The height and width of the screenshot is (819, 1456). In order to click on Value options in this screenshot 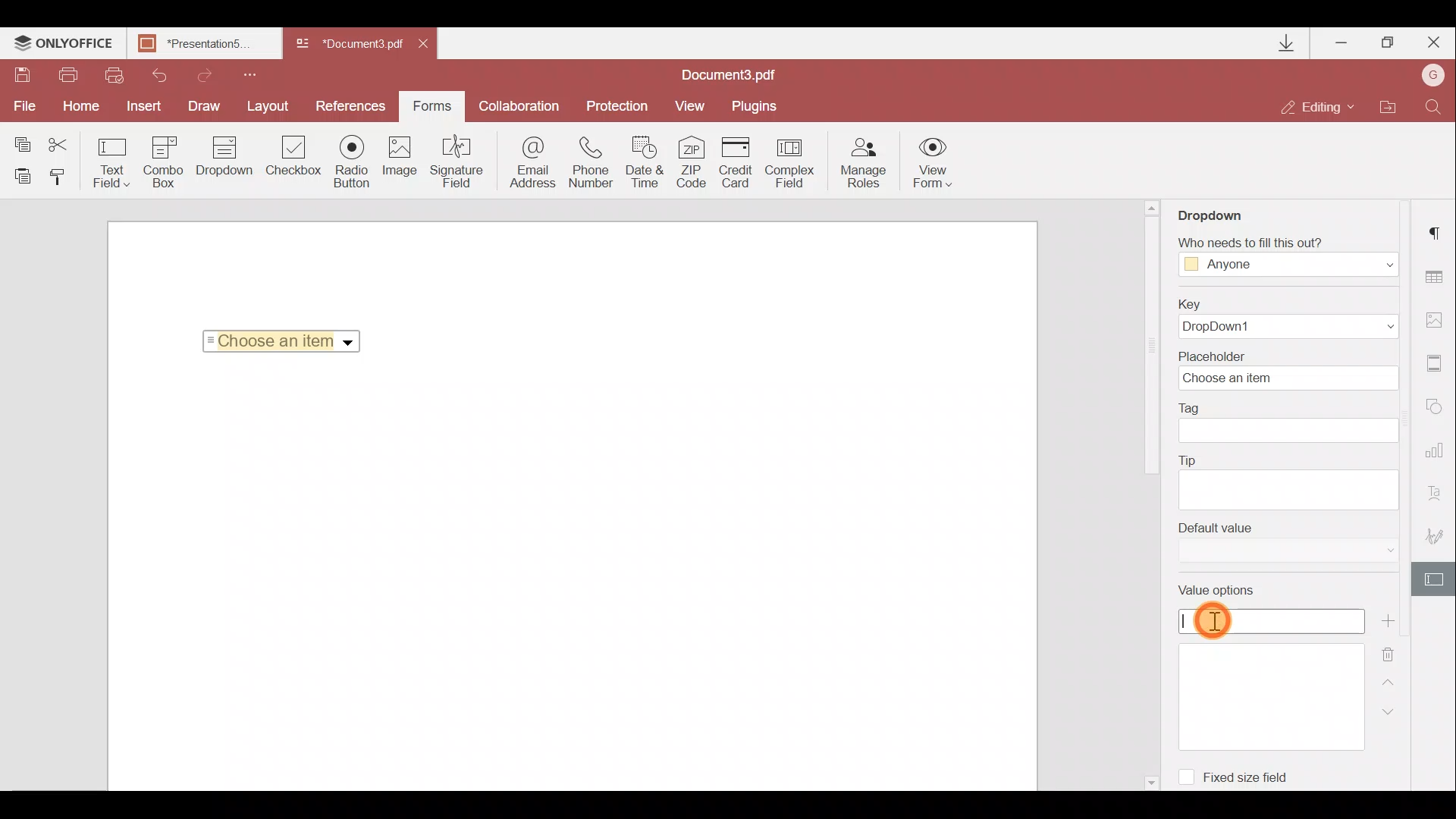, I will do `click(1269, 665)`.